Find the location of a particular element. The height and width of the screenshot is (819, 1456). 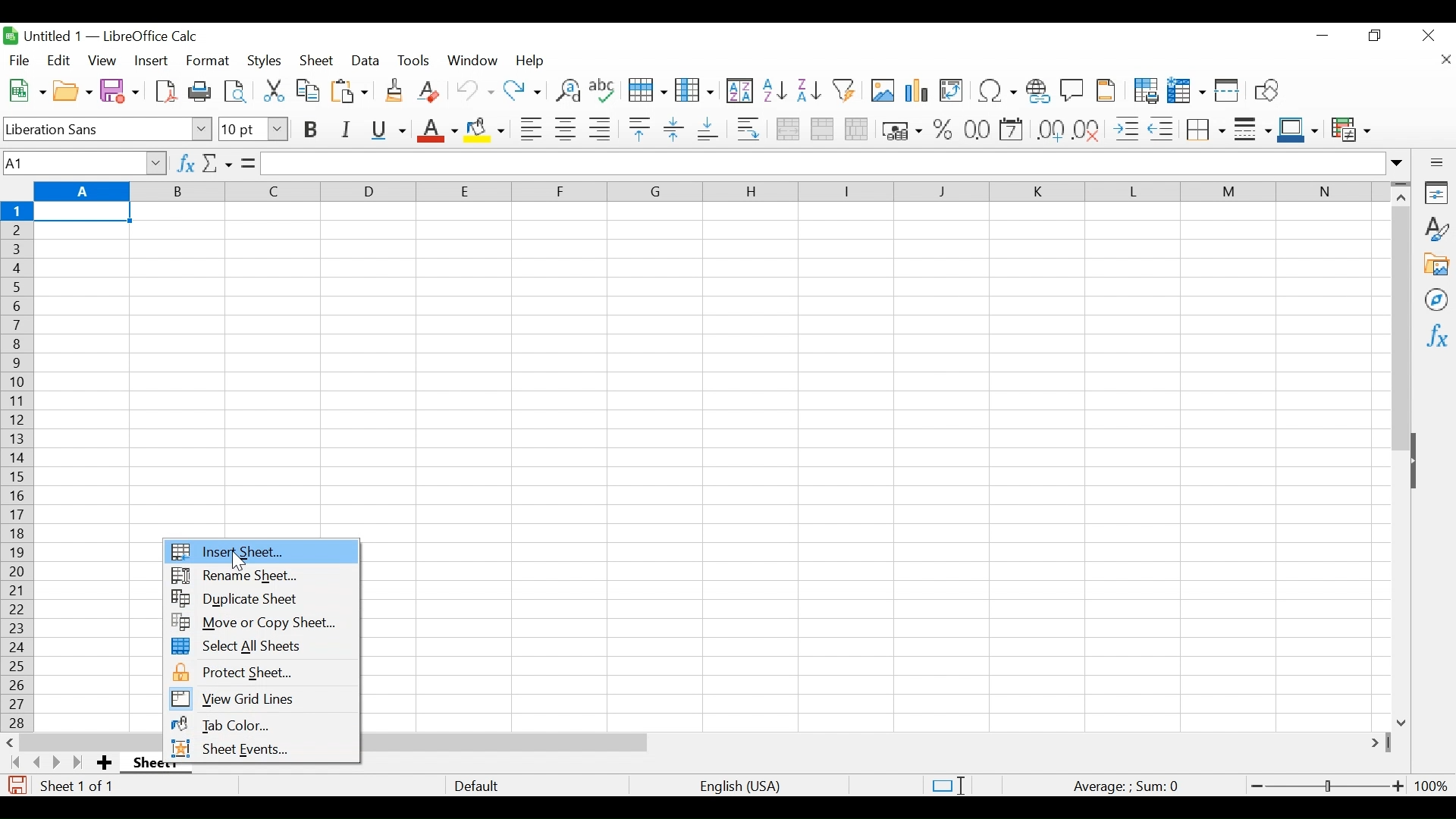

Format as currency is located at coordinates (900, 130).